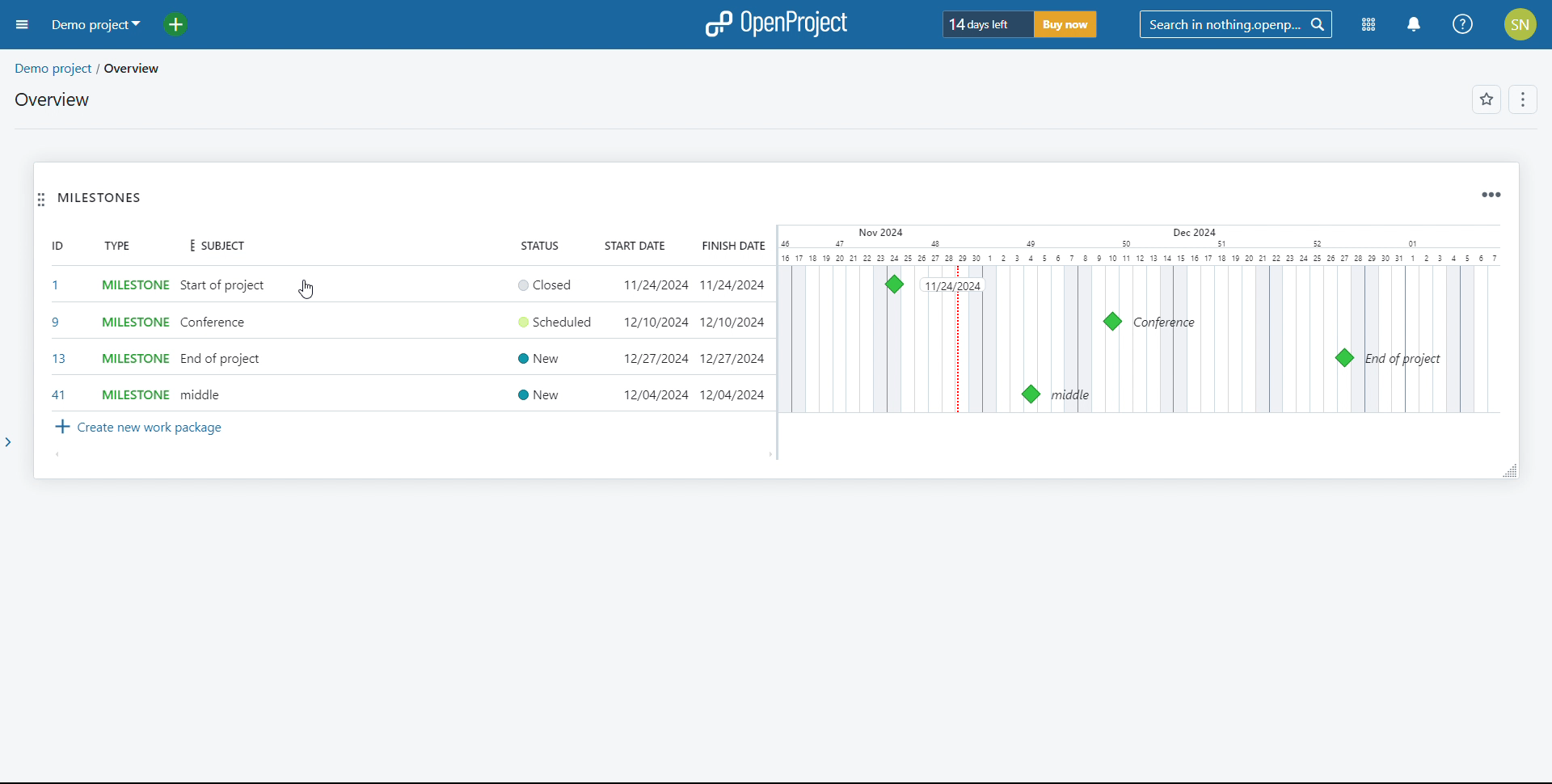 The height and width of the screenshot is (784, 1552). What do you see at coordinates (647, 322) in the screenshot?
I see `12/10/2024` at bounding box center [647, 322].